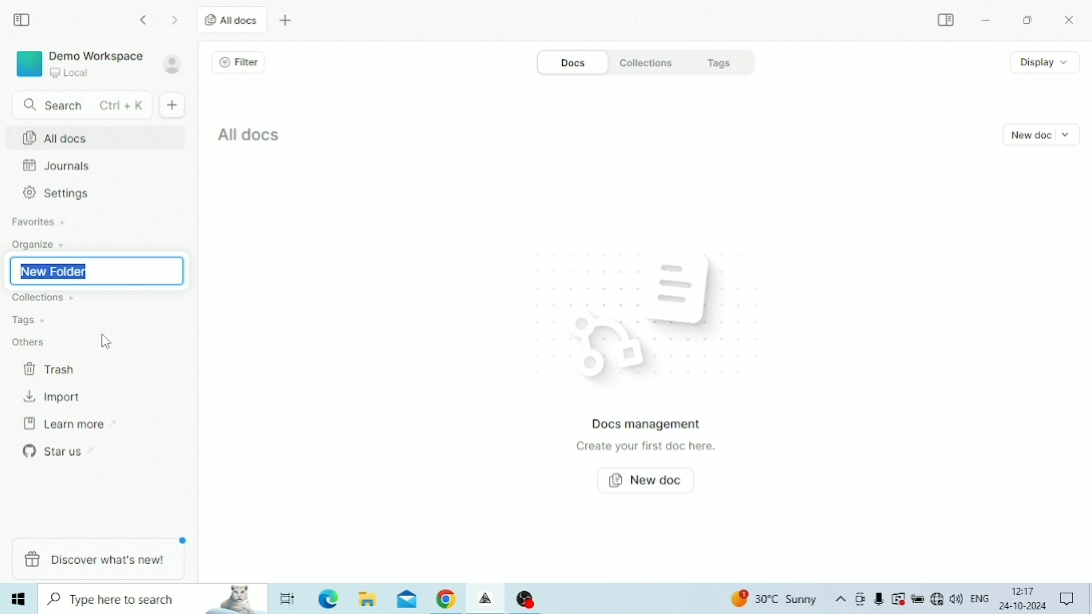 Image resolution: width=1092 pixels, height=614 pixels. I want to click on Docs, so click(571, 62).